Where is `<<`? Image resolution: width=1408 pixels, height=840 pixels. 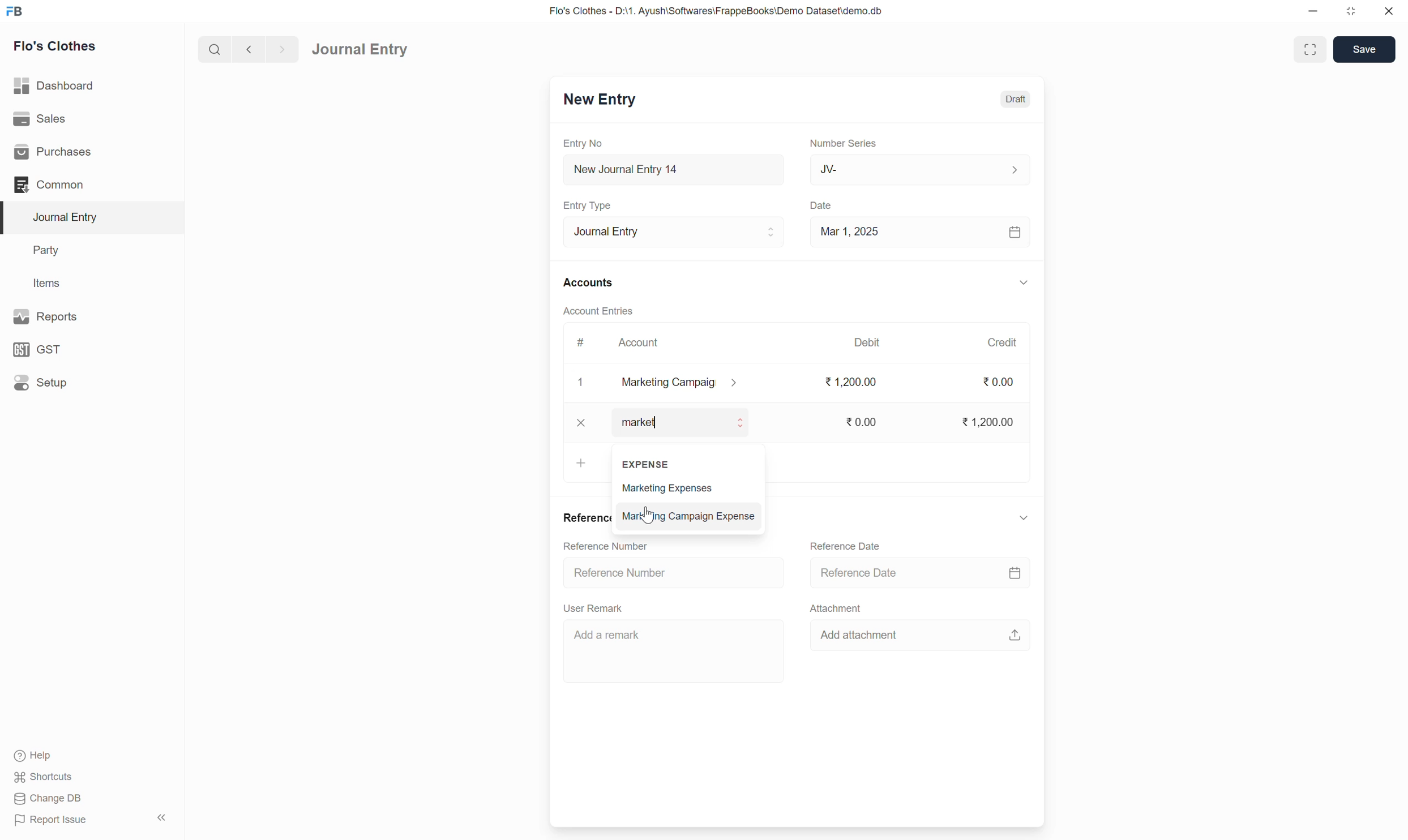 << is located at coordinates (161, 818).